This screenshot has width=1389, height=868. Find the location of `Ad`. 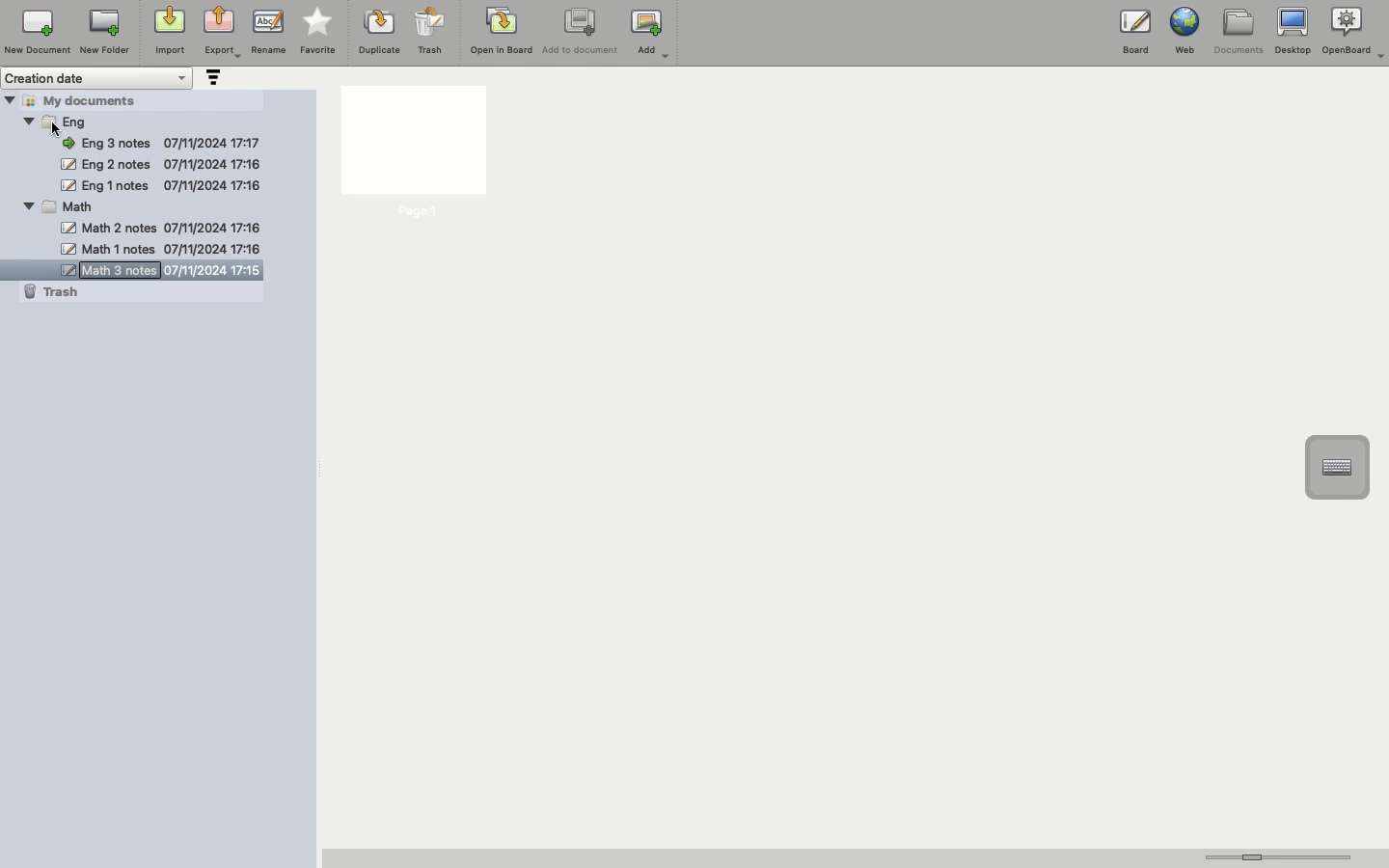

Ad is located at coordinates (652, 34).